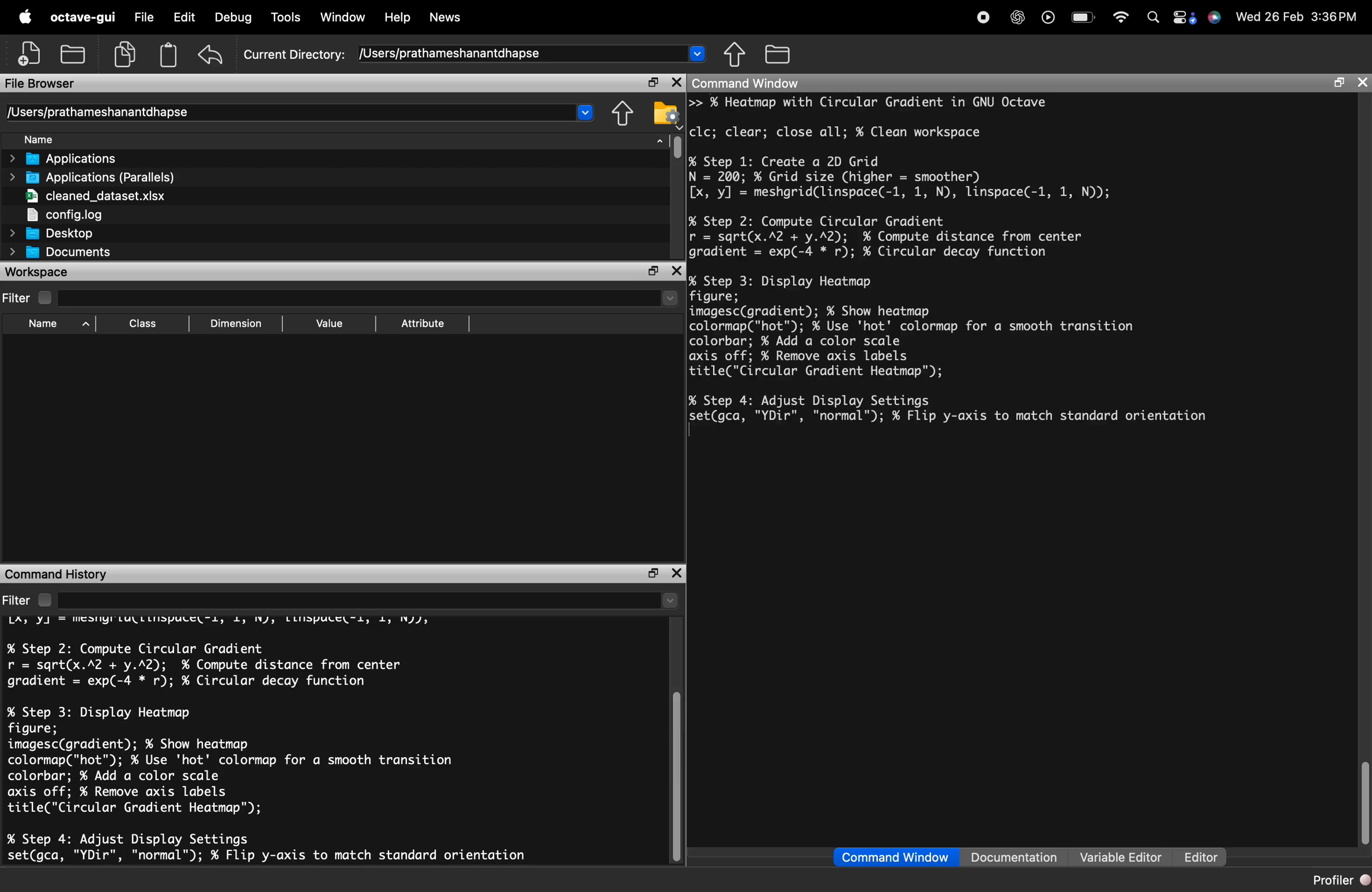 This screenshot has width=1372, height=892. What do you see at coordinates (675, 83) in the screenshot?
I see `close` at bounding box center [675, 83].